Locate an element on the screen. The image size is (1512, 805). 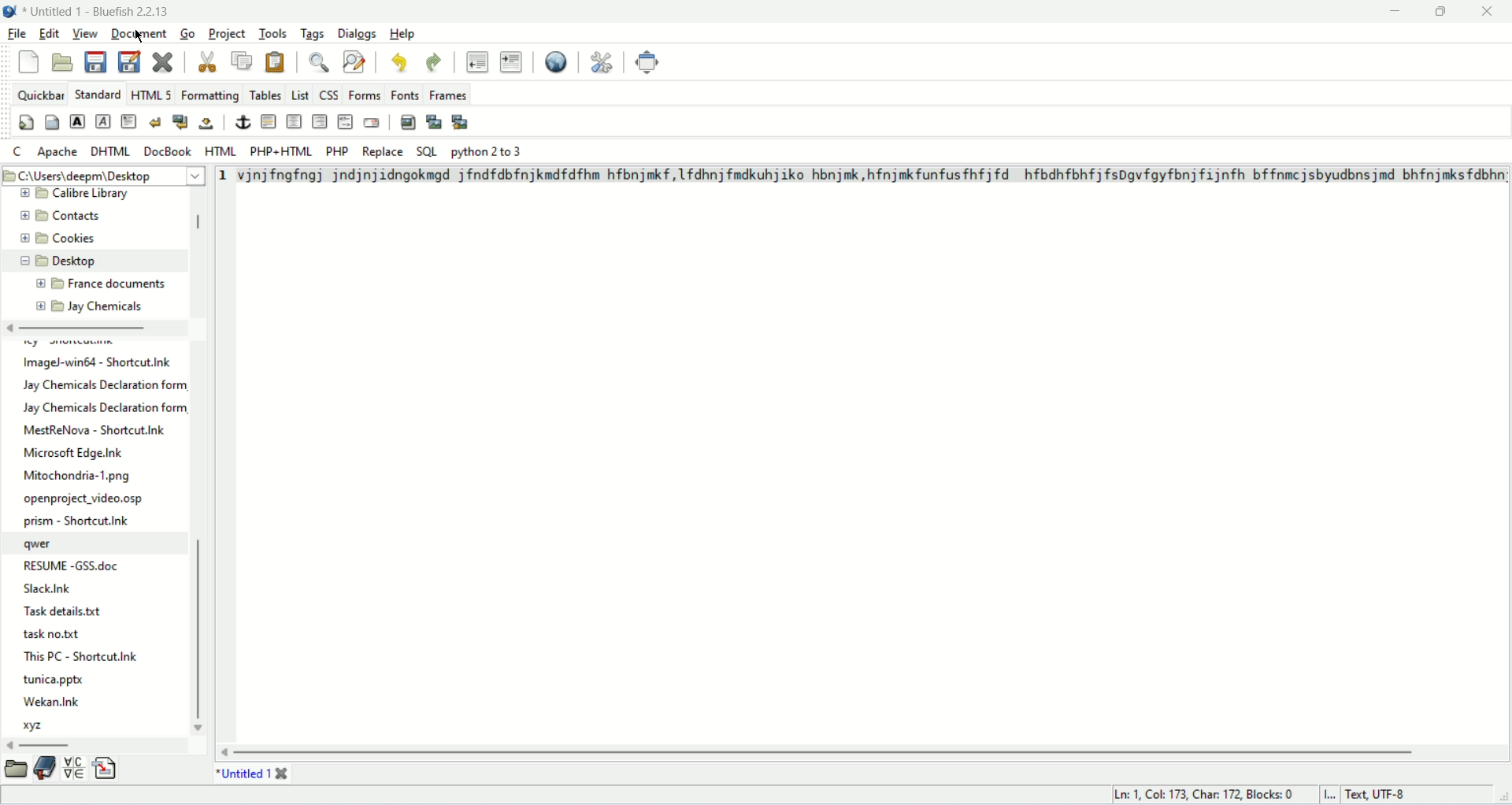
advanced find and replace is located at coordinates (357, 61).